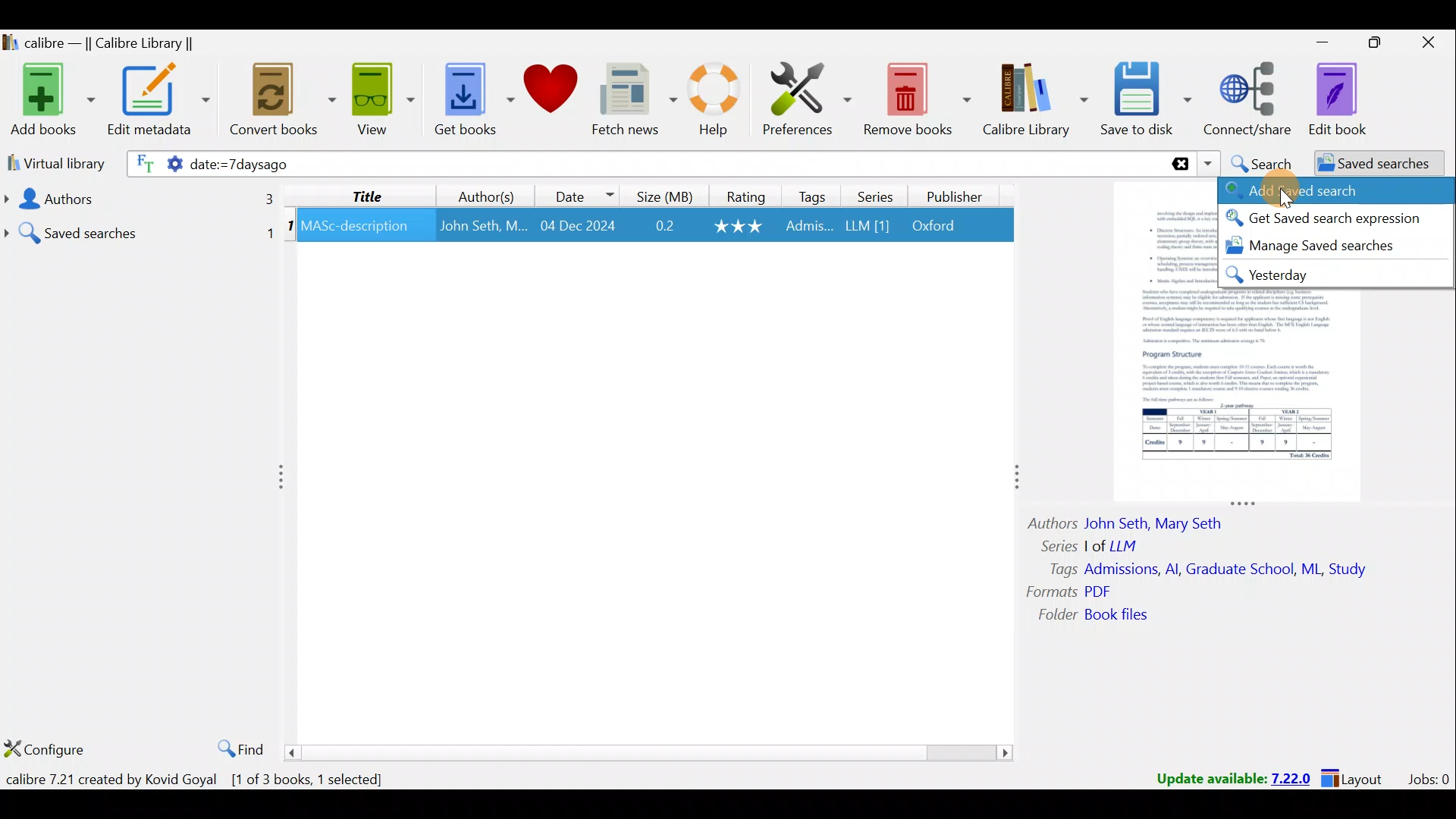 The image size is (1456, 819). What do you see at coordinates (883, 163) in the screenshot?
I see `Search bar` at bounding box center [883, 163].